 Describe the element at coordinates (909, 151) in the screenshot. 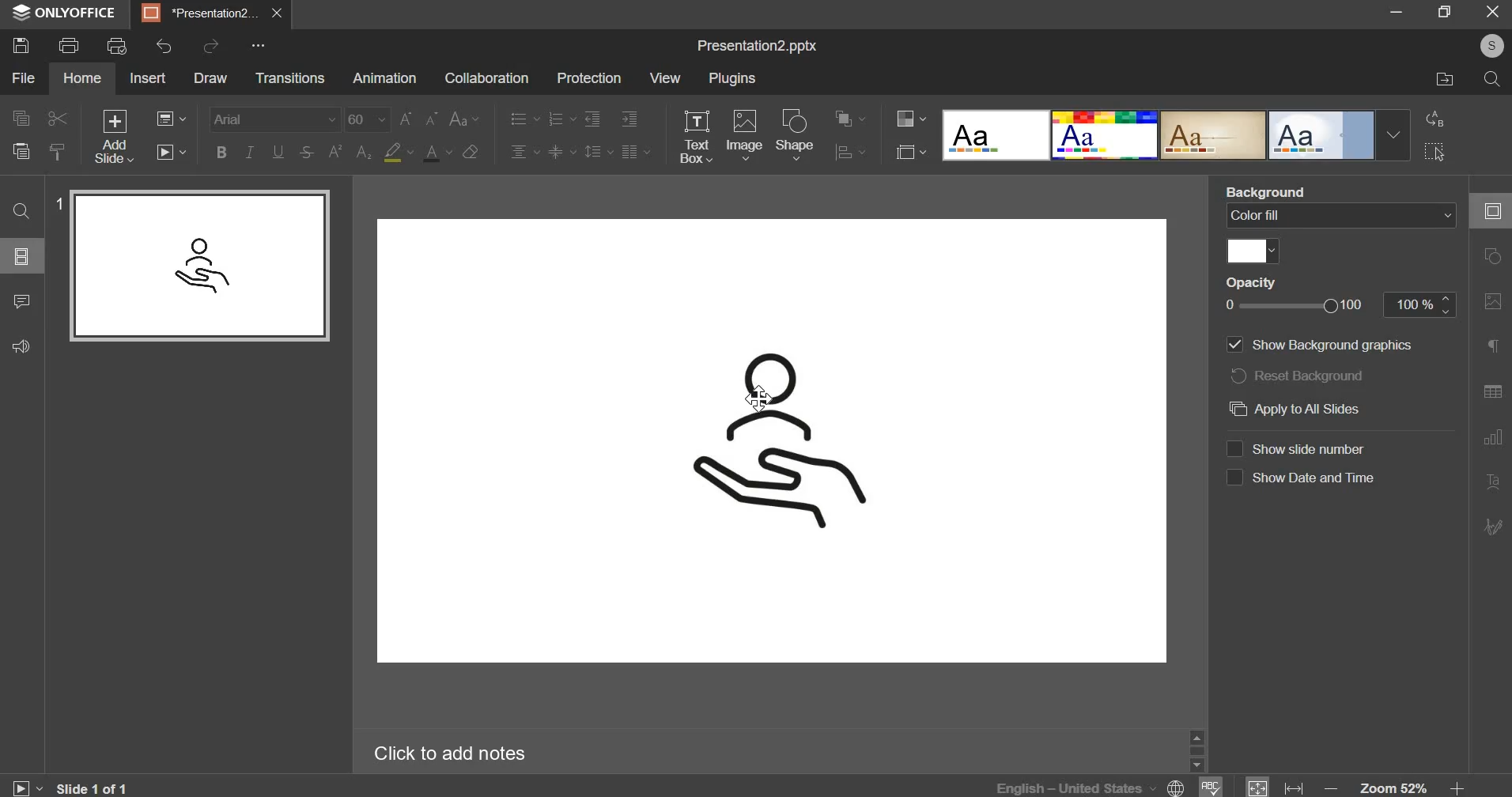

I see `slide size` at that location.